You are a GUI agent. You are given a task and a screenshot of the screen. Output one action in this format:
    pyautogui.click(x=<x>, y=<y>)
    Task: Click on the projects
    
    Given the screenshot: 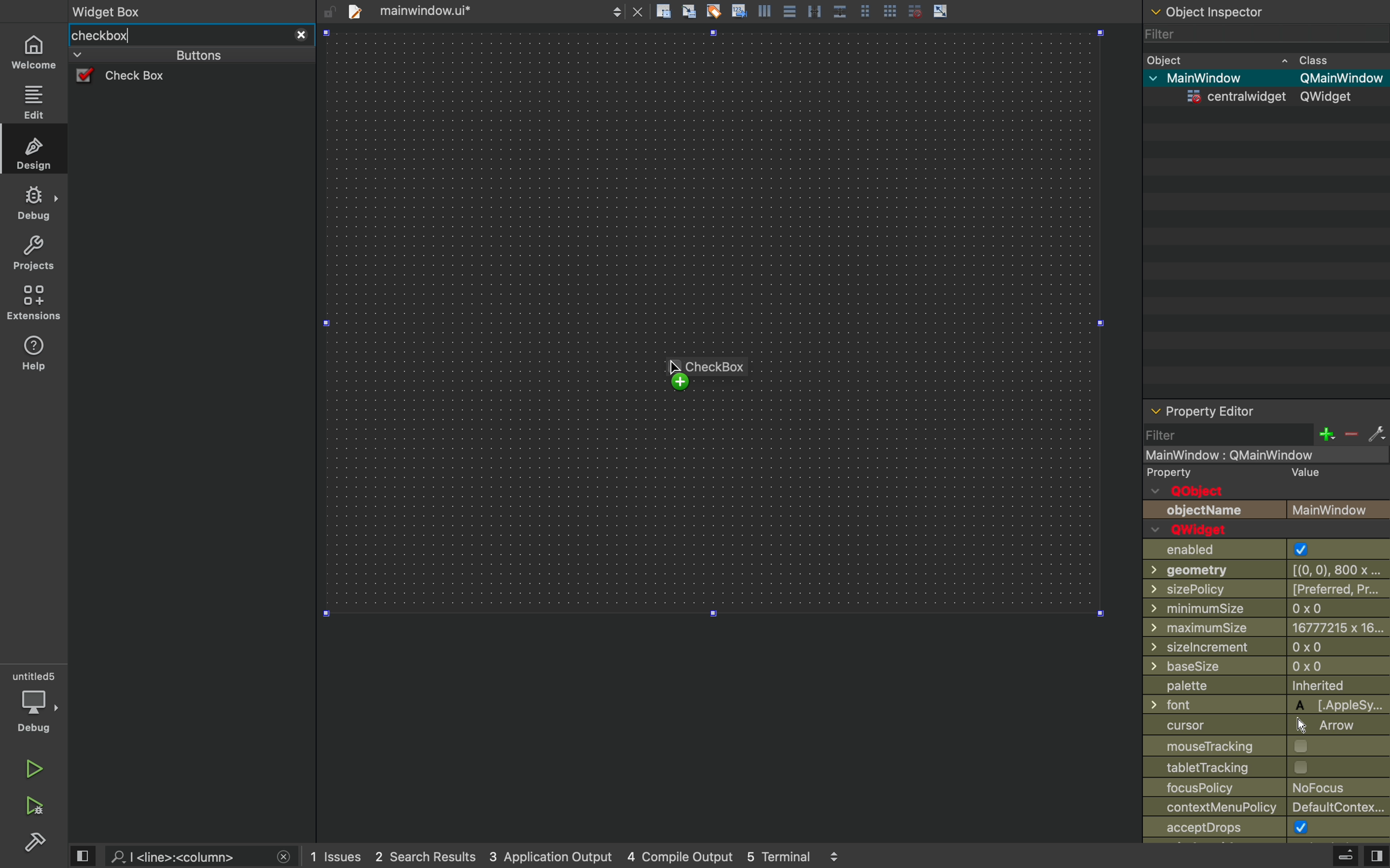 What is the action you would take?
    pyautogui.click(x=31, y=254)
    